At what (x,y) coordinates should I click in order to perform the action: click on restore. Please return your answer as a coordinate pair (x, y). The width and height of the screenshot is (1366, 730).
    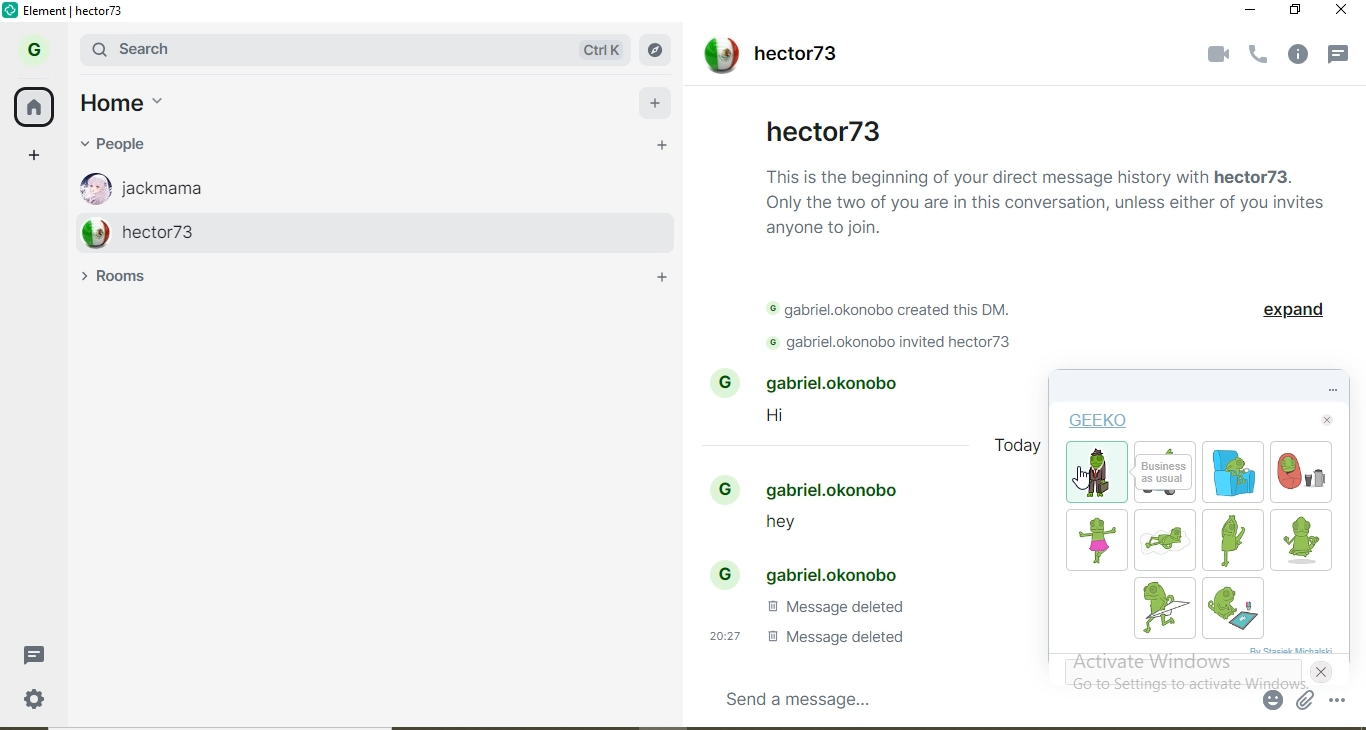
    Looking at the image, I should click on (1296, 10).